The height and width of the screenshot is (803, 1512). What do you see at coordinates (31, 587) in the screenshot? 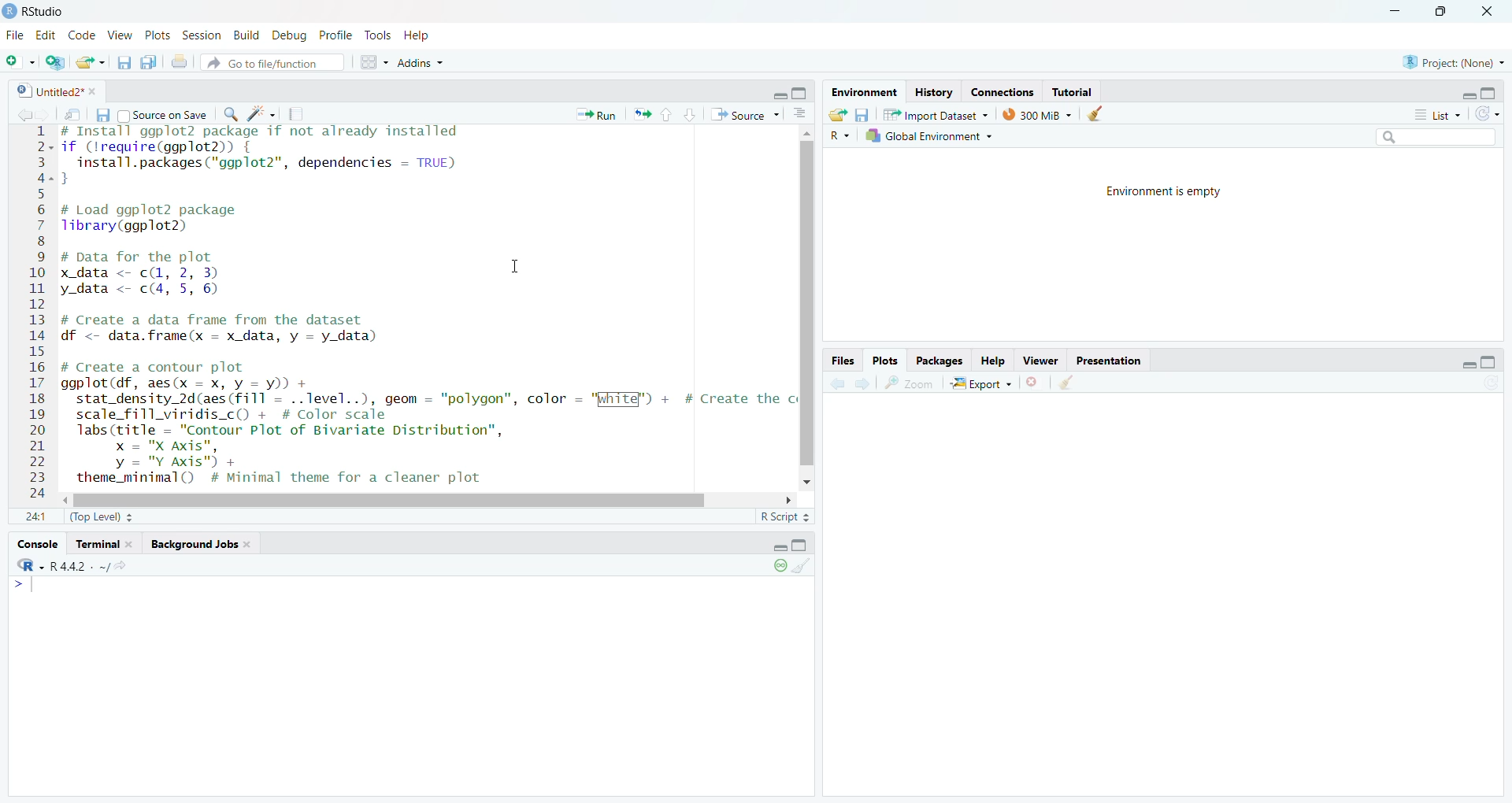
I see `typing cursor` at bounding box center [31, 587].